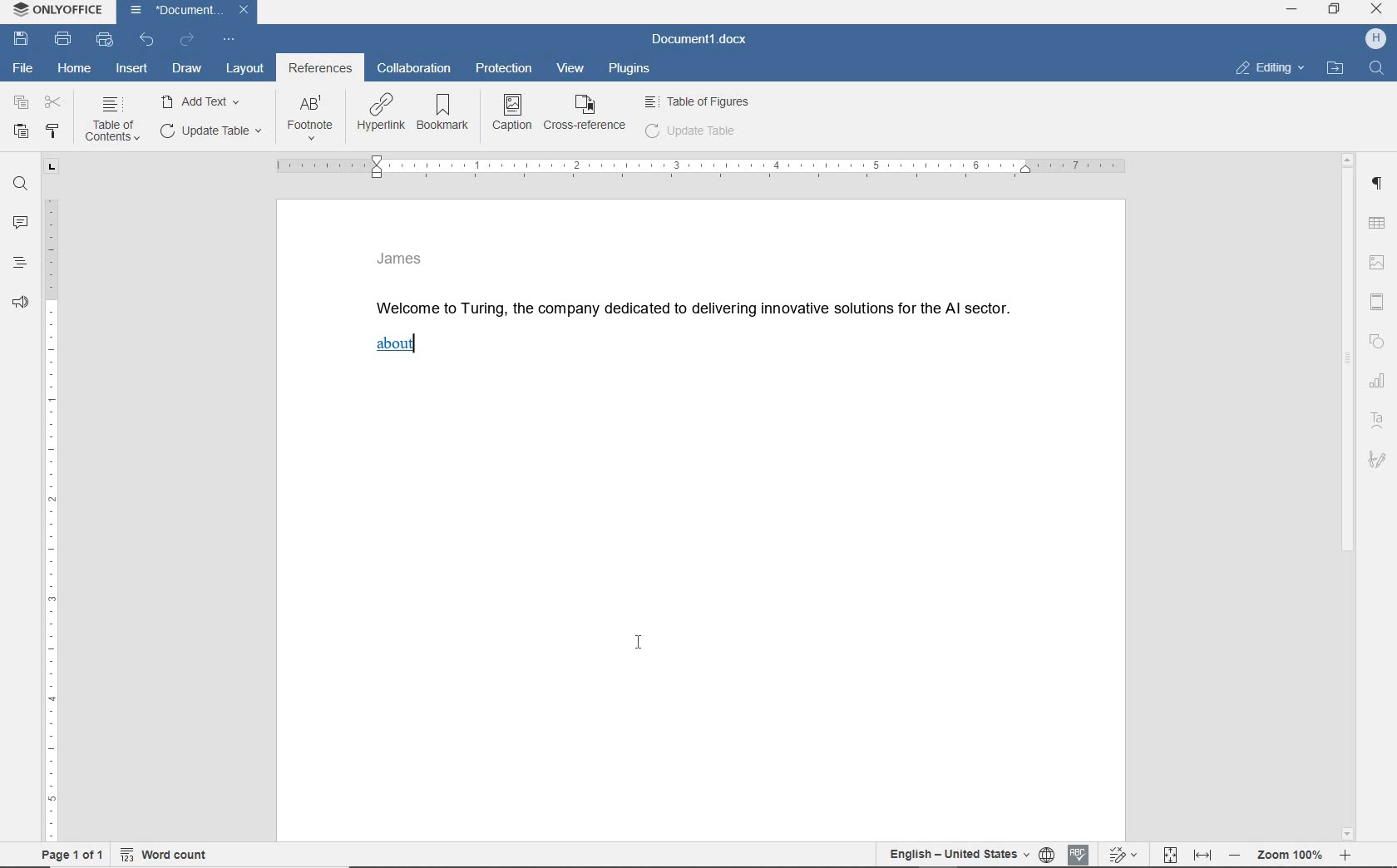 The image size is (1397, 868). What do you see at coordinates (1376, 40) in the screenshot?
I see `username` at bounding box center [1376, 40].